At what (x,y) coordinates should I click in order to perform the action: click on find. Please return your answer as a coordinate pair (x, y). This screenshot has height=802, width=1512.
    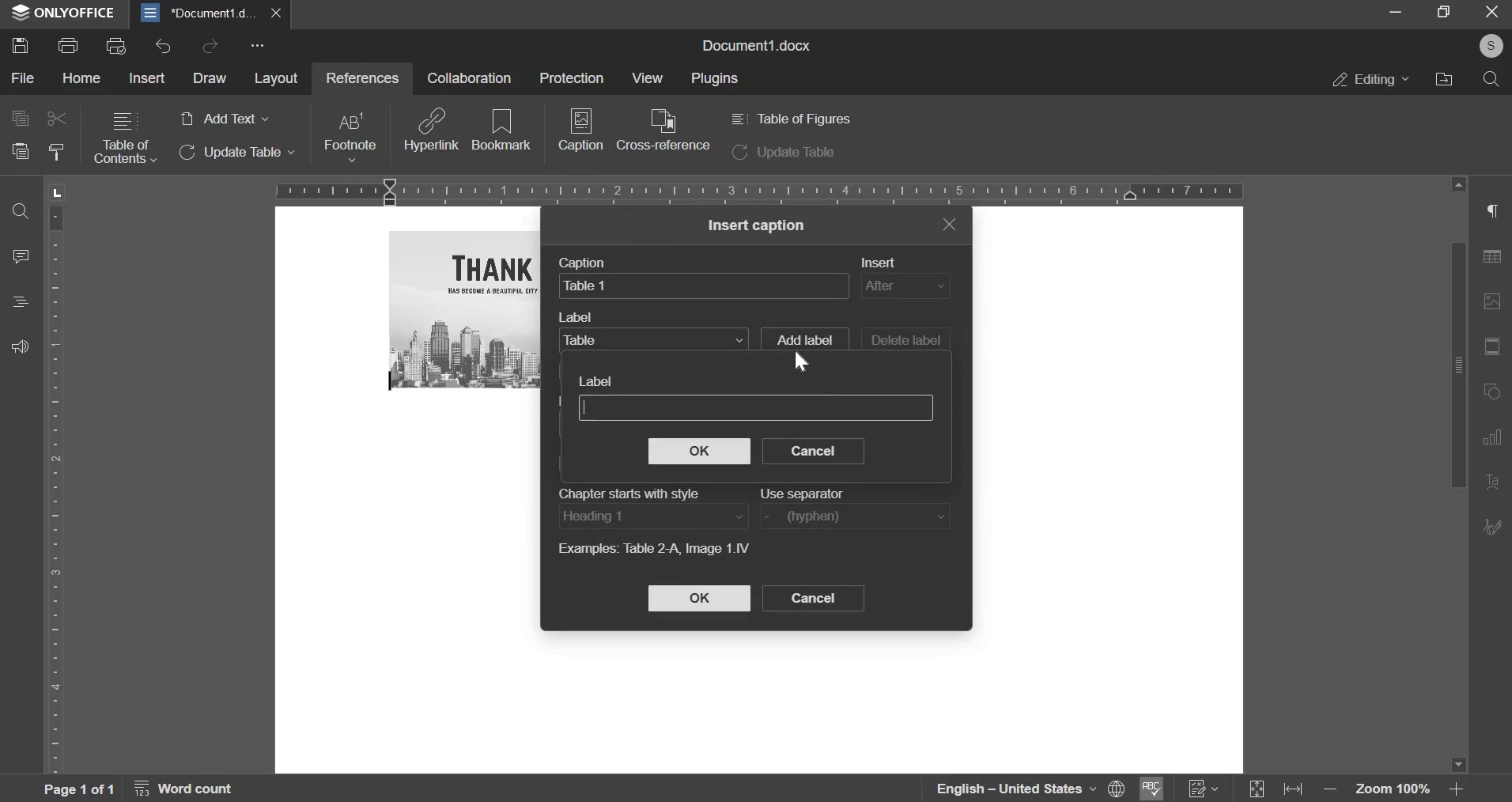
    Looking at the image, I should click on (20, 213).